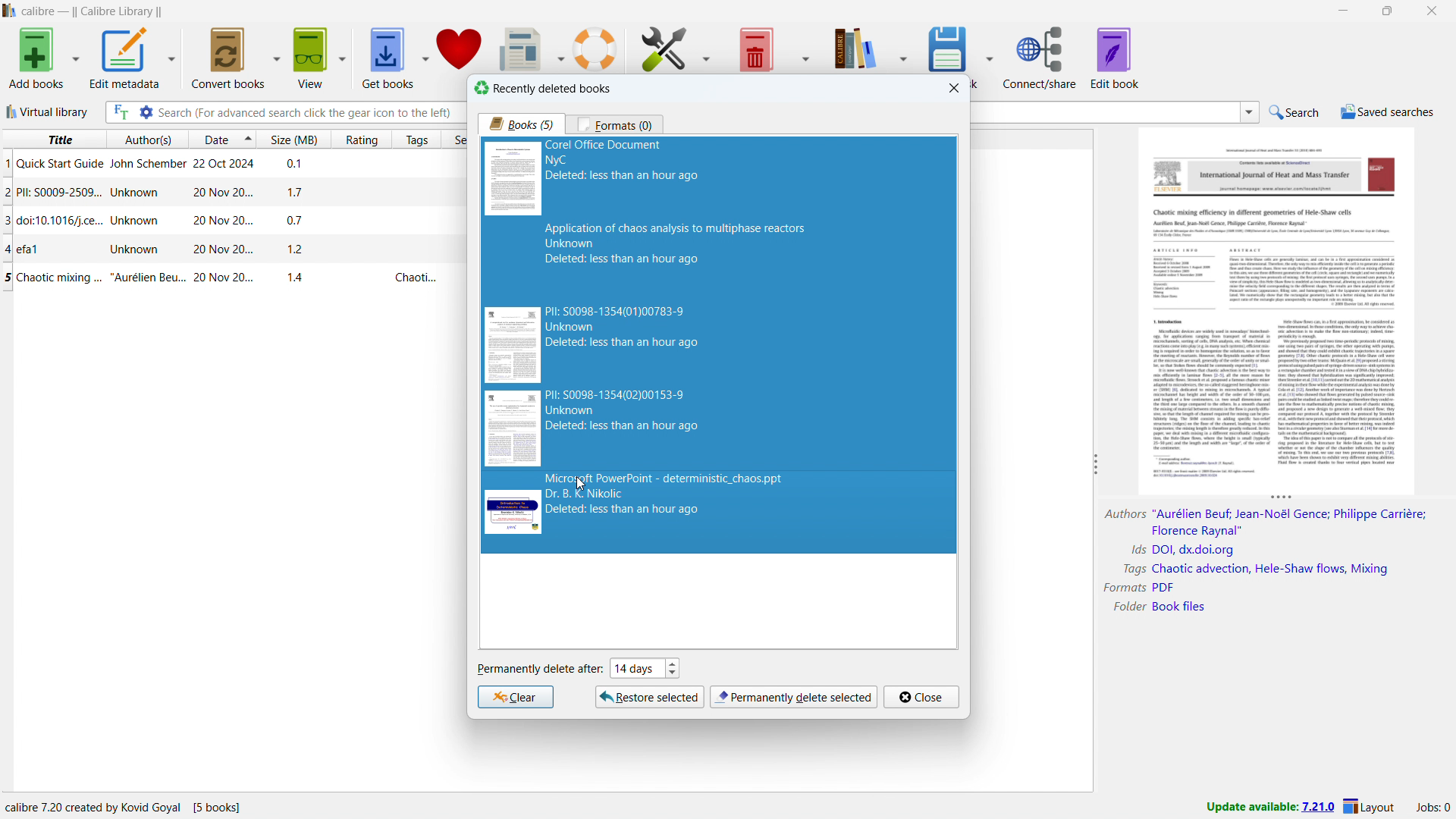 This screenshot has width=1456, height=819. Describe the element at coordinates (293, 138) in the screenshot. I see `sort by size` at that location.